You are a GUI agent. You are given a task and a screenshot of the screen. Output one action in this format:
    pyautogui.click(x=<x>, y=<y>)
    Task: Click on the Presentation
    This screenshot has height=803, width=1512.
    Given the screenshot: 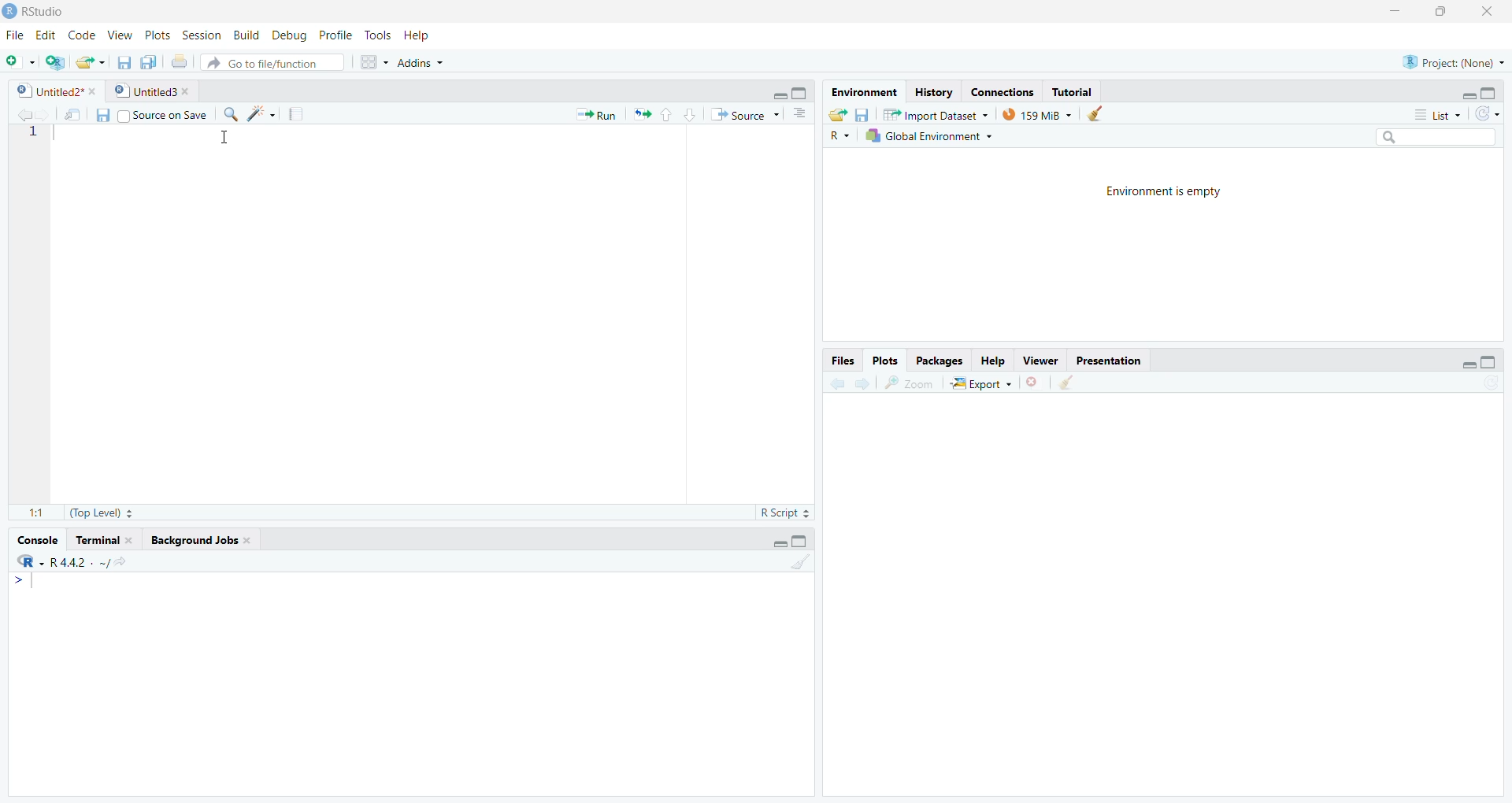 What is the action you would take?
    pyautogui.click(x=1107, y=361)
    